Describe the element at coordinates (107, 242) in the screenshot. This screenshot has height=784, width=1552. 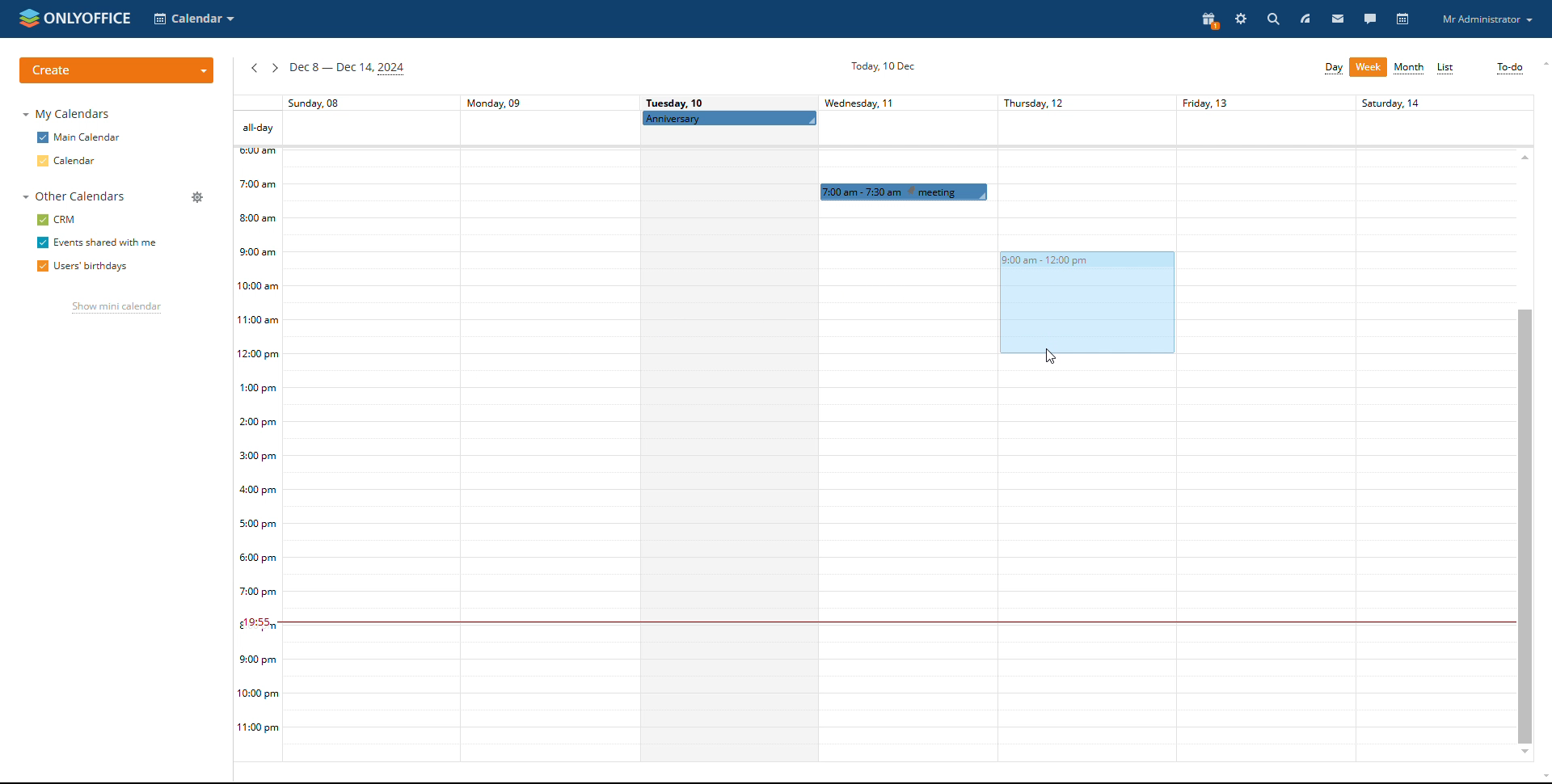
I see `events shared with me` at that location.